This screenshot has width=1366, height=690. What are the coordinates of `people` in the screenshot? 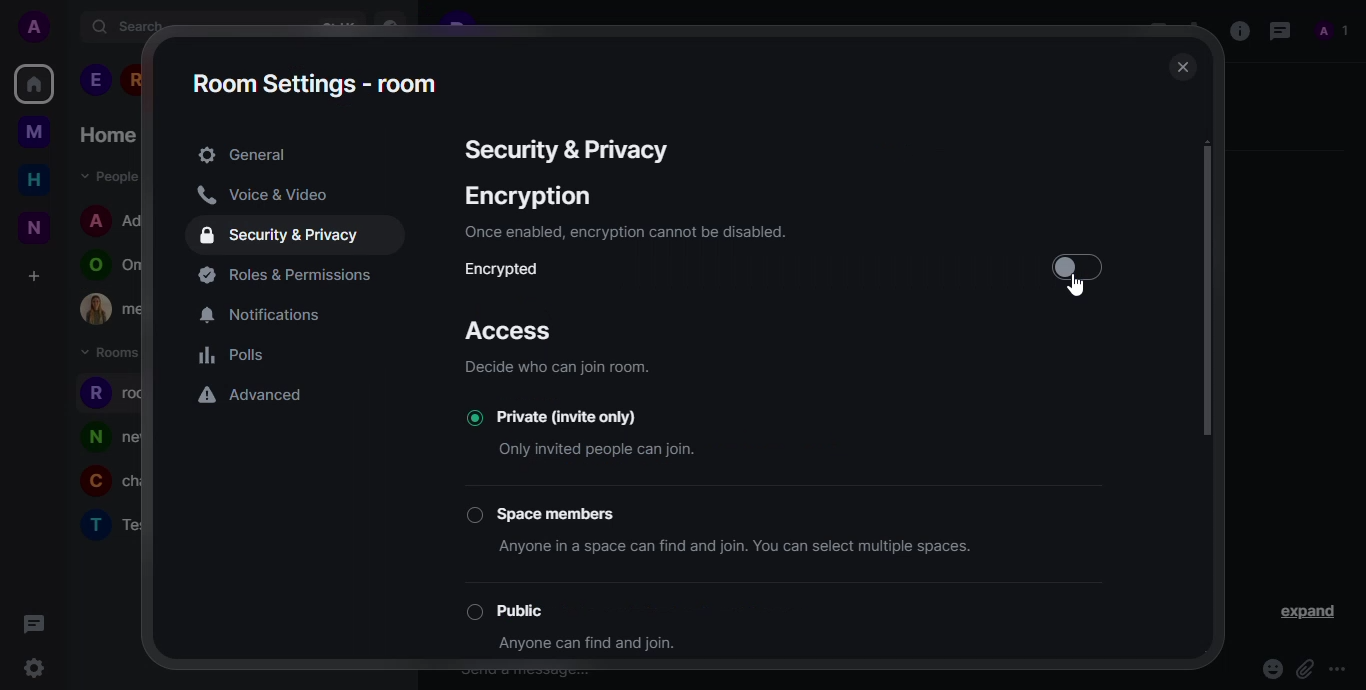 It's located at (1333, 31).